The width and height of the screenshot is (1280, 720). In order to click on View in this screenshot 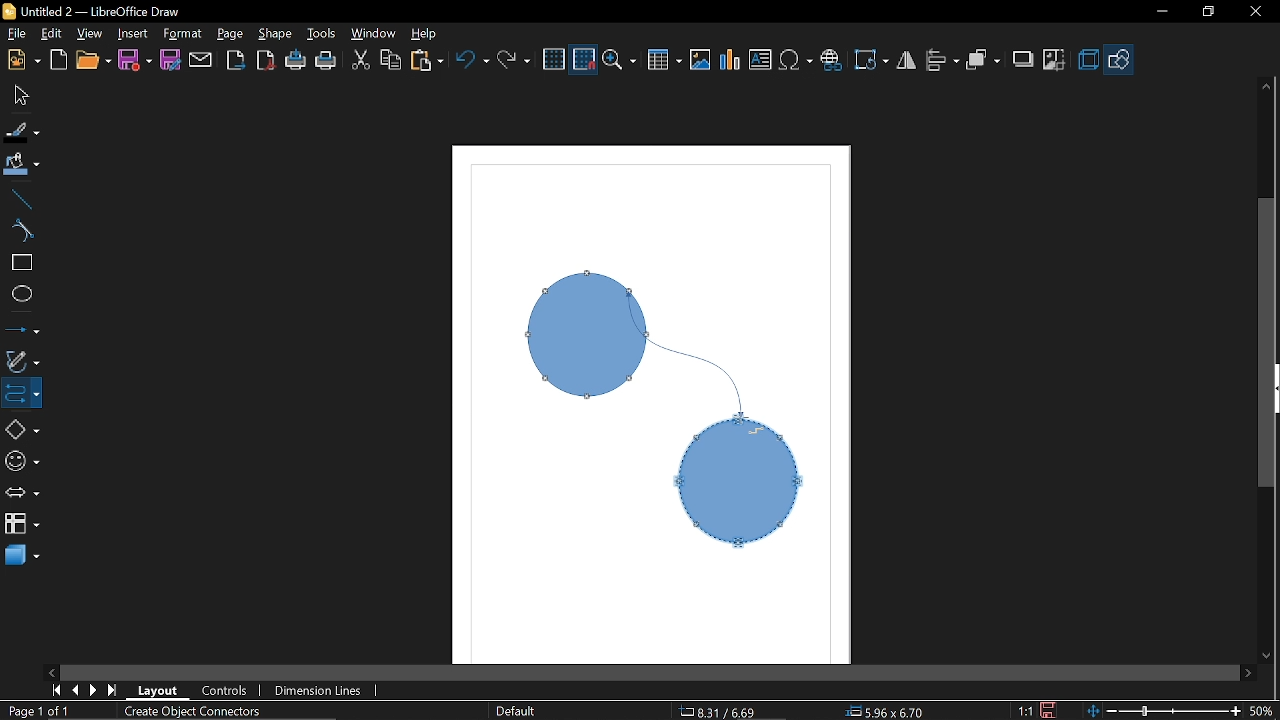, I will do `click(90, 32)`.